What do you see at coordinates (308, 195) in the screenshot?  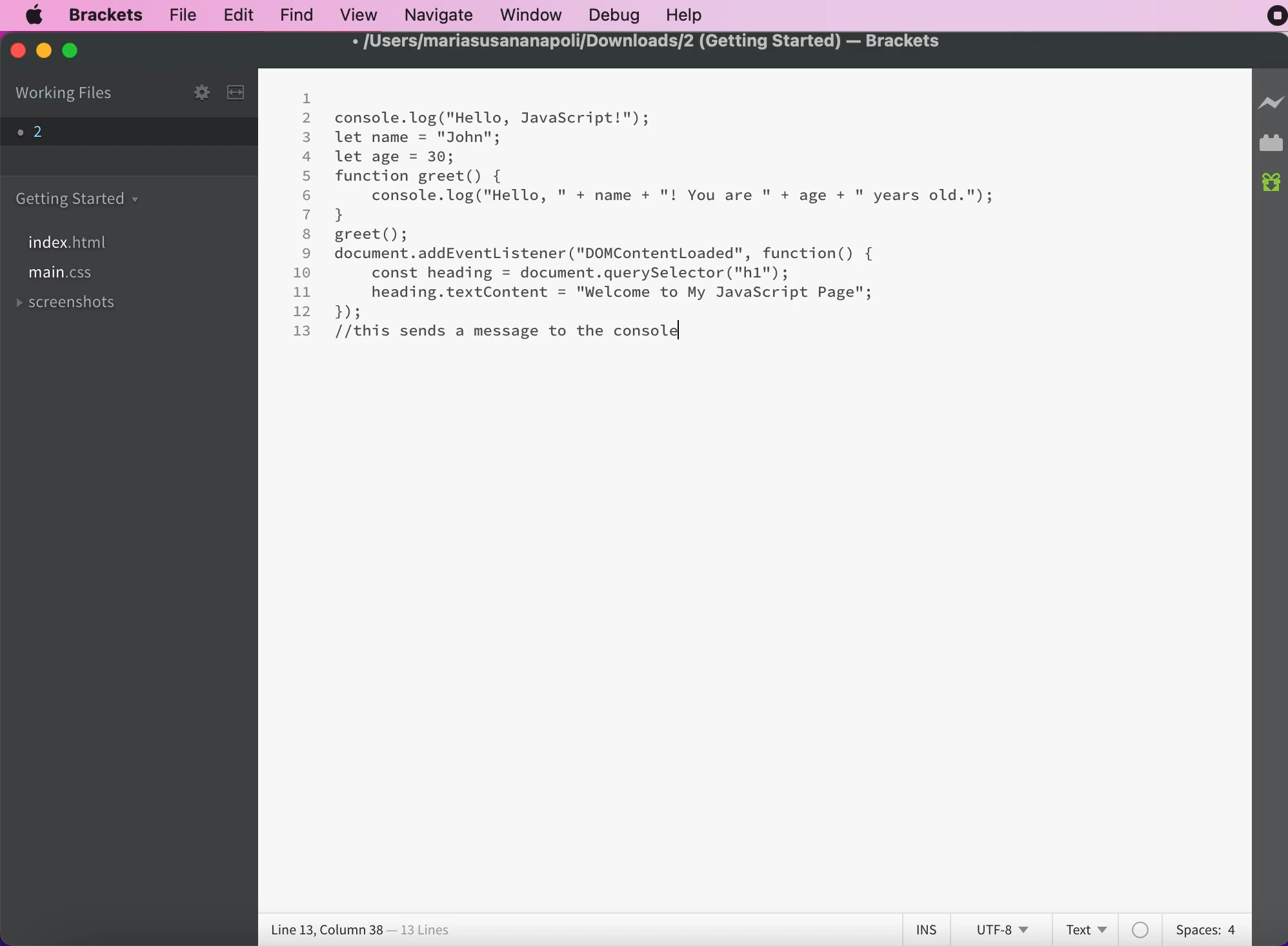 I see `6` at bounding box center [308, 195].